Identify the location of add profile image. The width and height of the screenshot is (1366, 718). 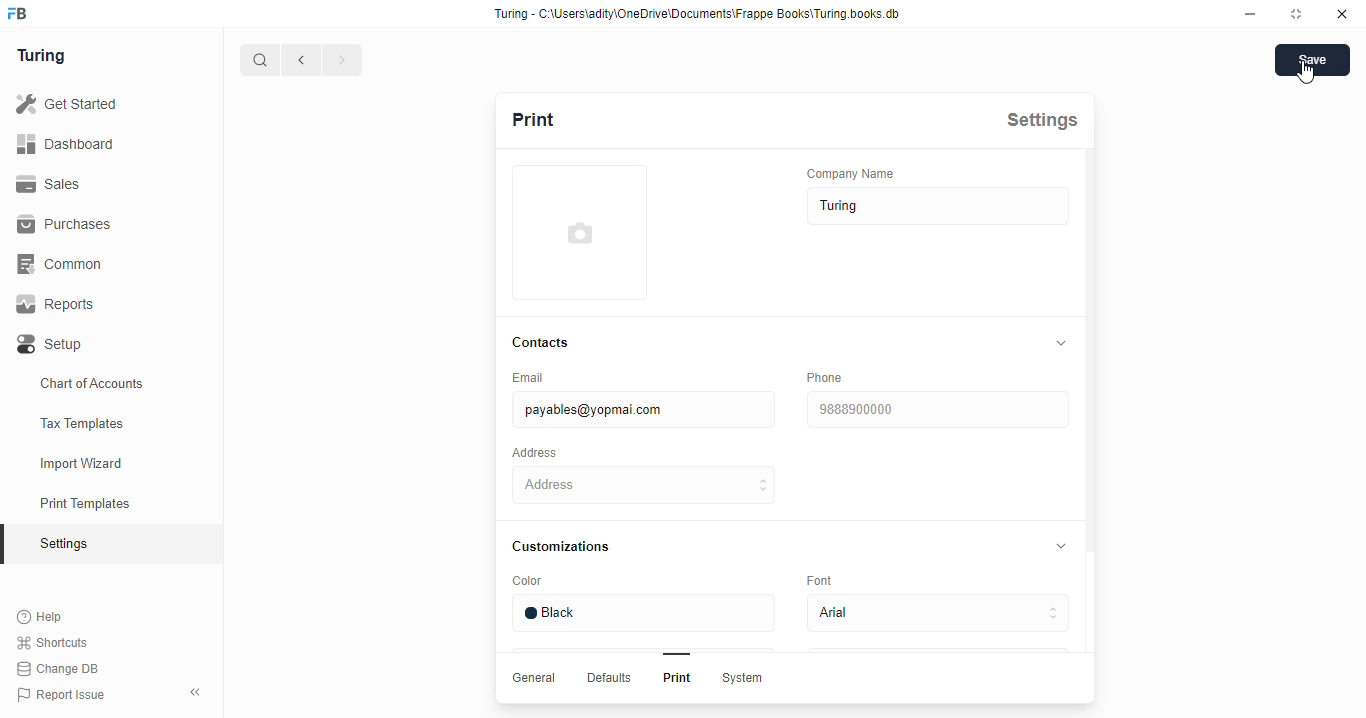
(580, 243).